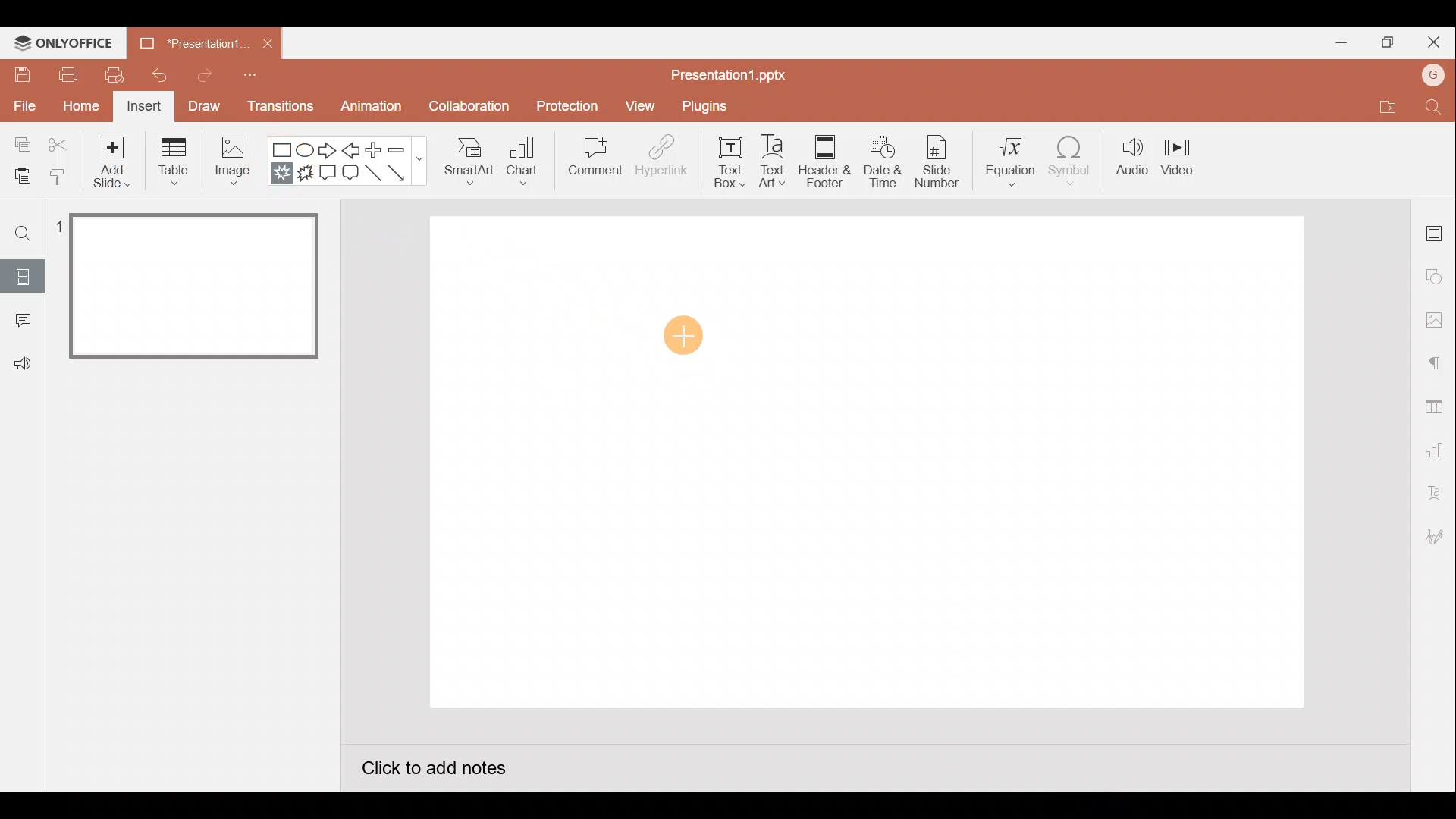  What do you see at coordinates (254, 77) in the screenshot?
I see `Customize quick access toolbar` at bounding box center [254, 77].